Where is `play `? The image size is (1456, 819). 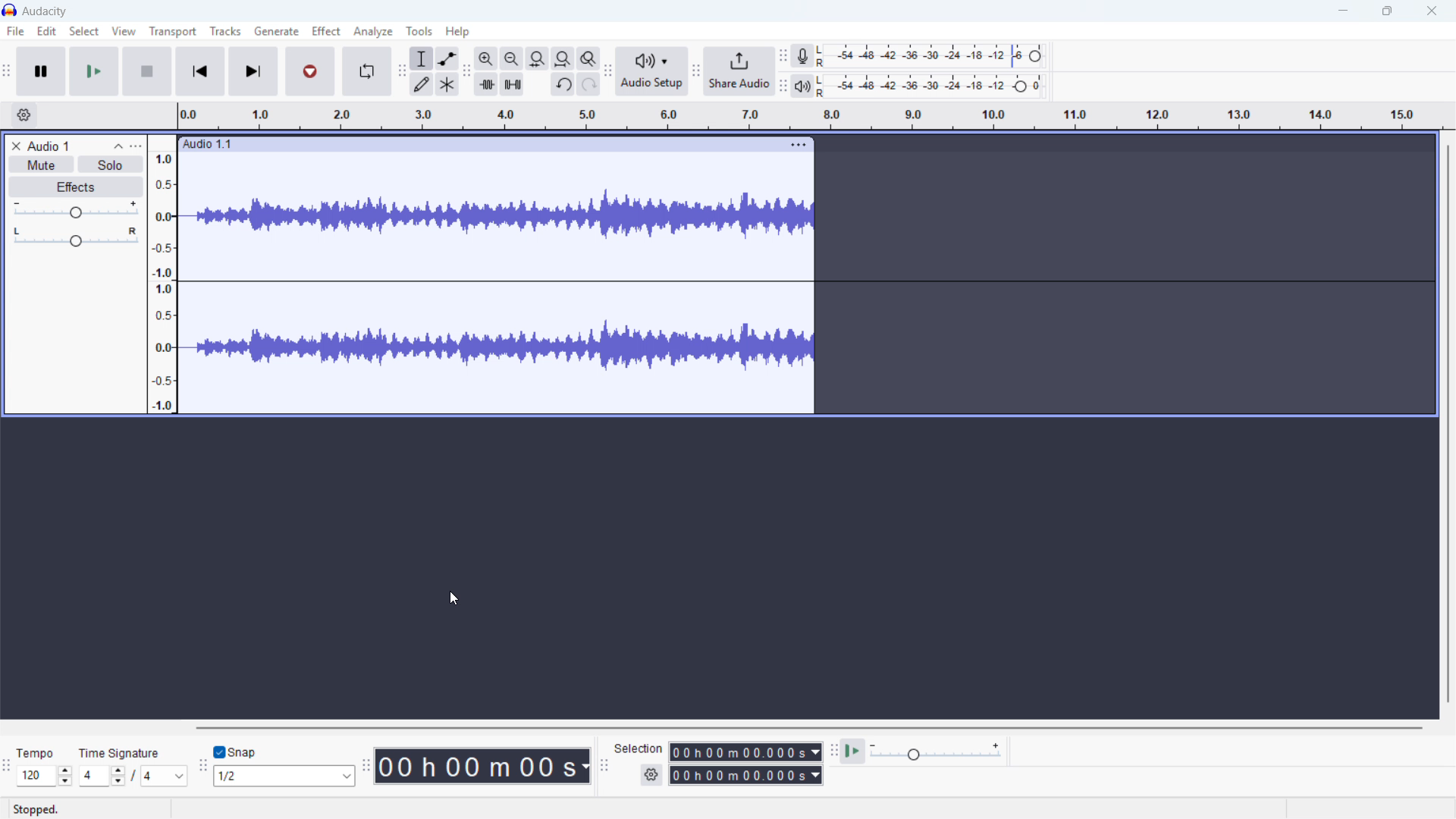 play  is located at coordinates (95, 72).